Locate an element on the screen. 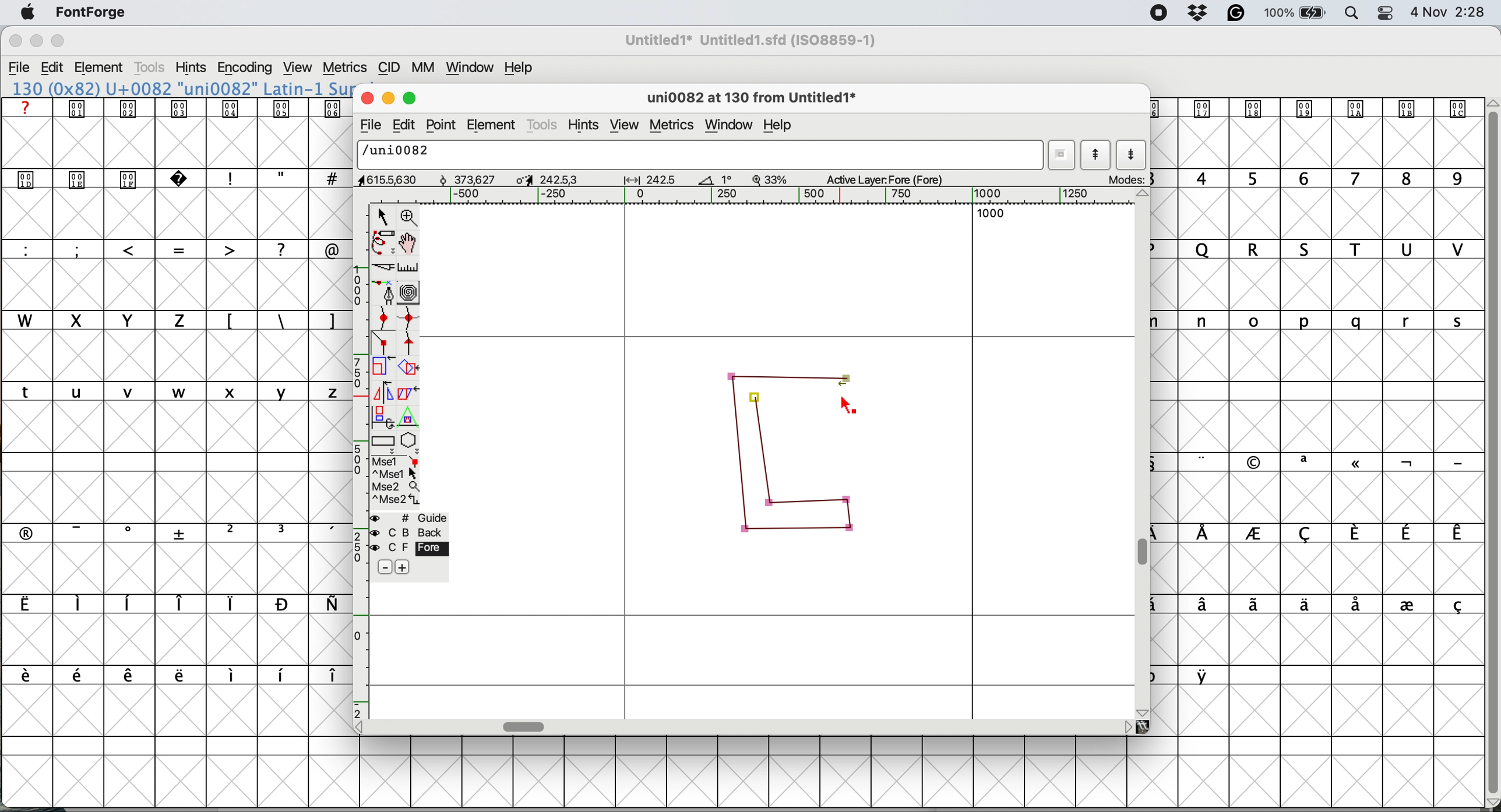  maximise is located at coordinates (412, 96).